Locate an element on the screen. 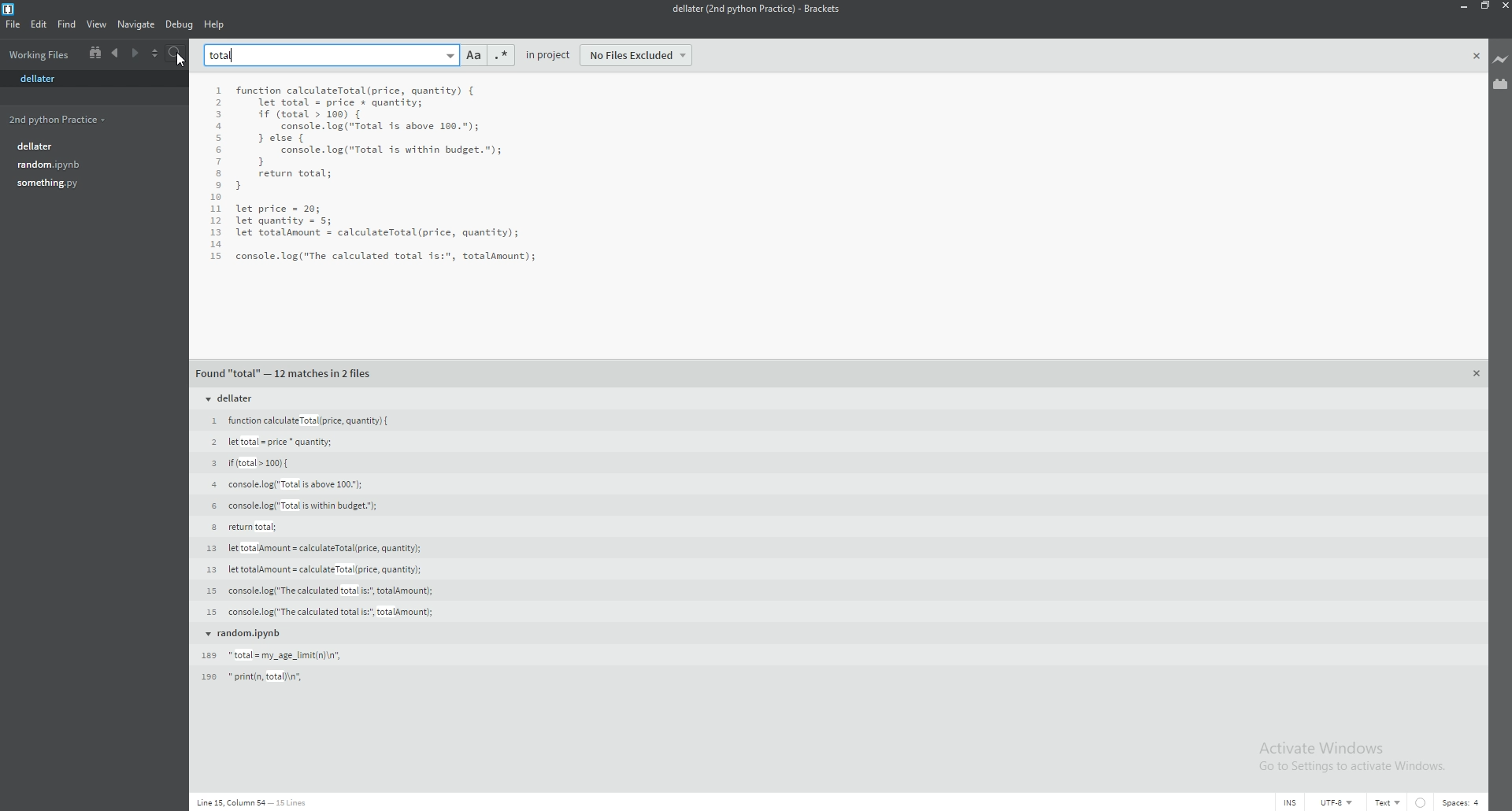 The image size is (1512, 811). debug is located at coordinates (180, 24).